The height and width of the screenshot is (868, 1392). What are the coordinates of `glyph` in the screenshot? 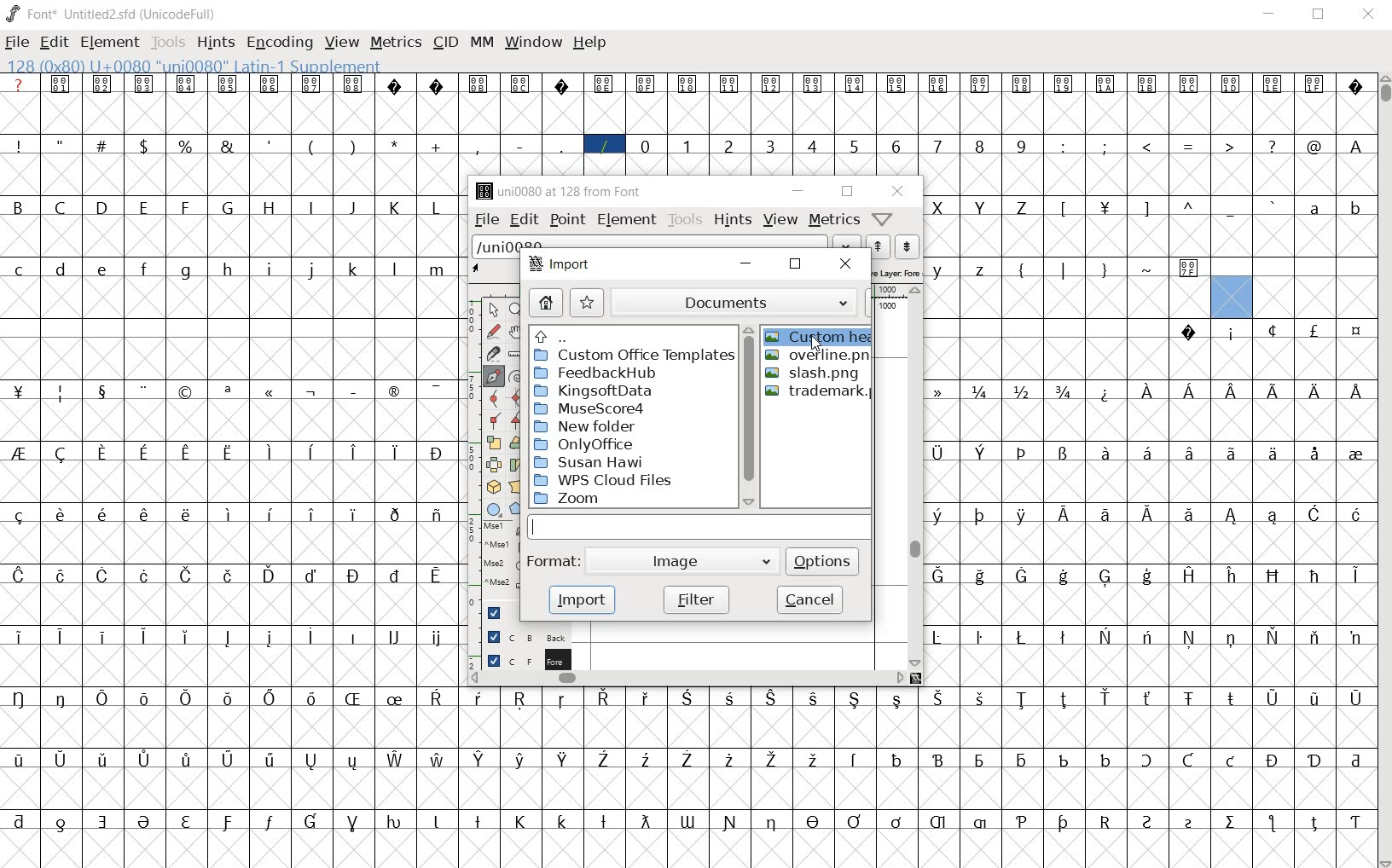 It's located at (271, 453).